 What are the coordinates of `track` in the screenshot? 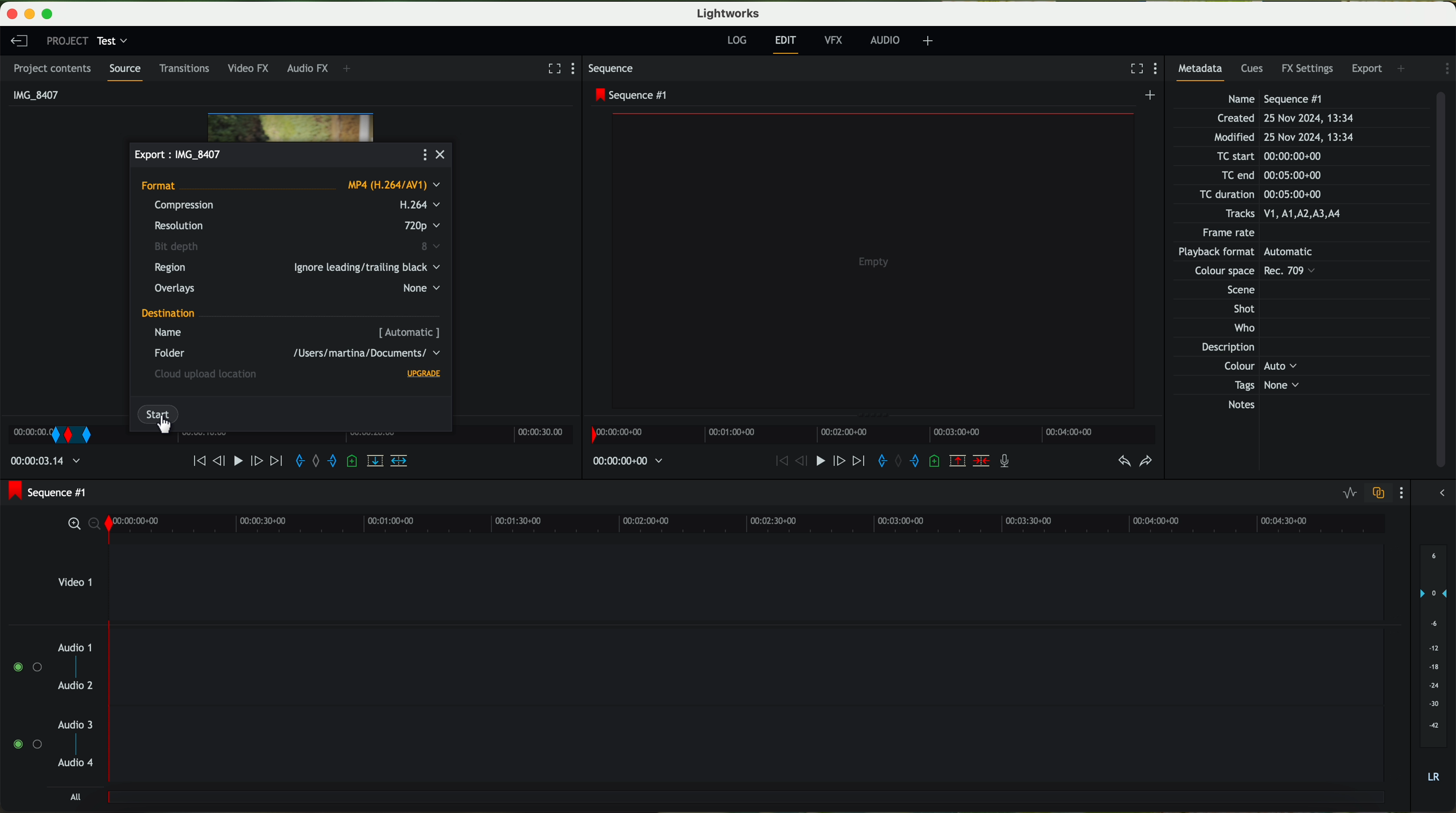 It's located at (749, 663).